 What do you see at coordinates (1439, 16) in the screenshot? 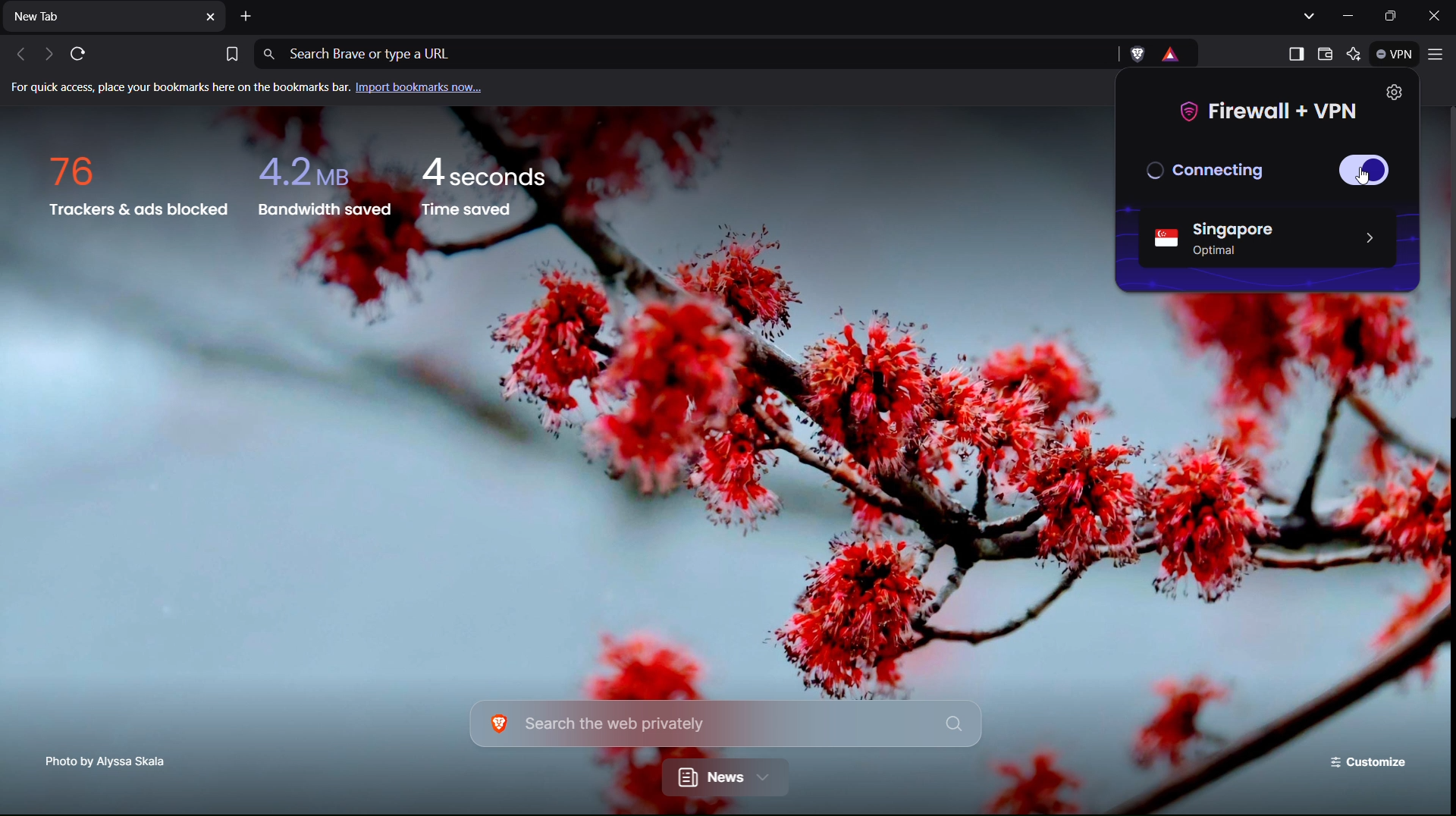
I see `Close` at bounding box center [1439, 16].